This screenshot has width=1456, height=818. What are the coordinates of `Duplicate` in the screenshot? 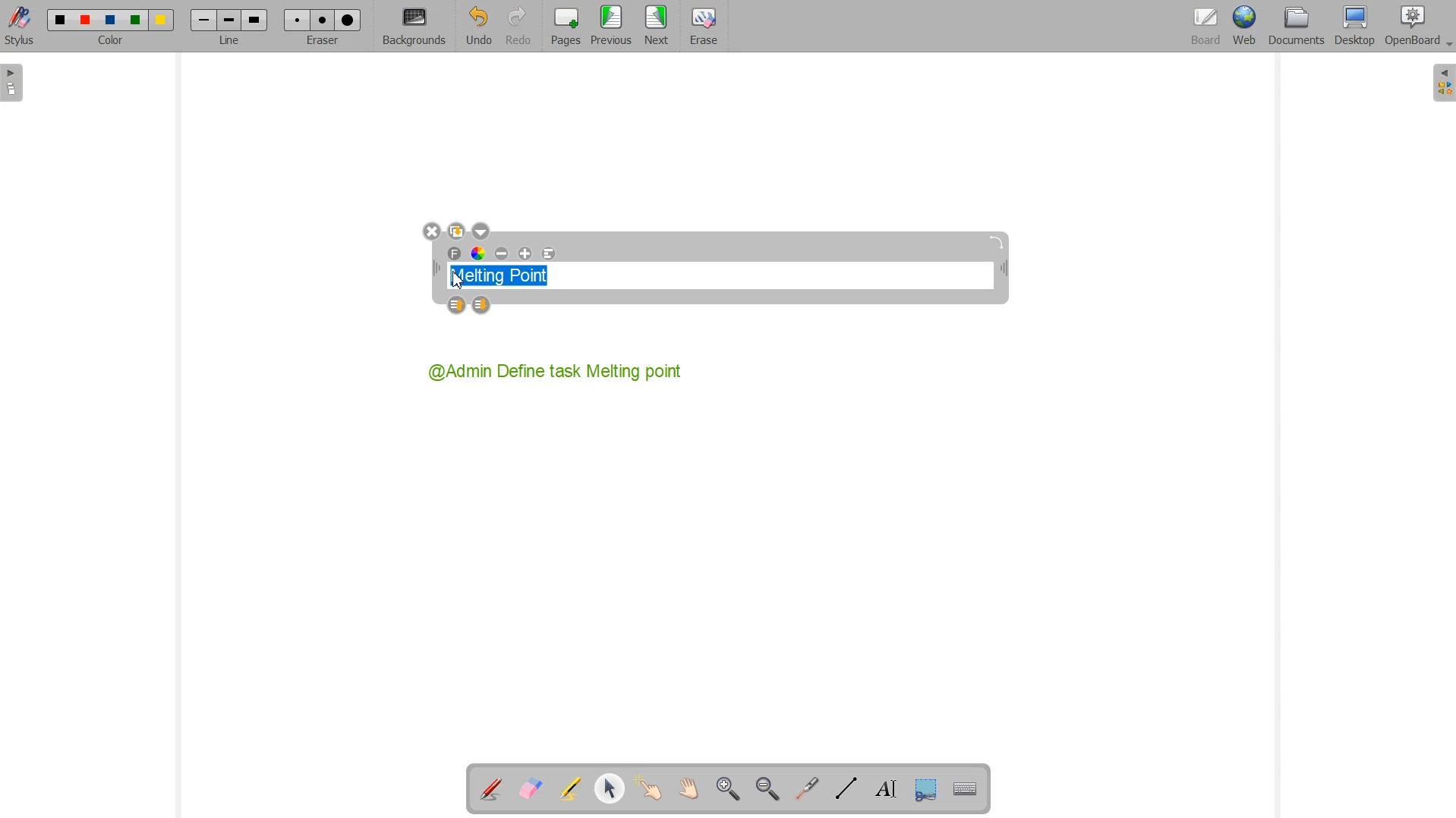 It's located at (456, 231).